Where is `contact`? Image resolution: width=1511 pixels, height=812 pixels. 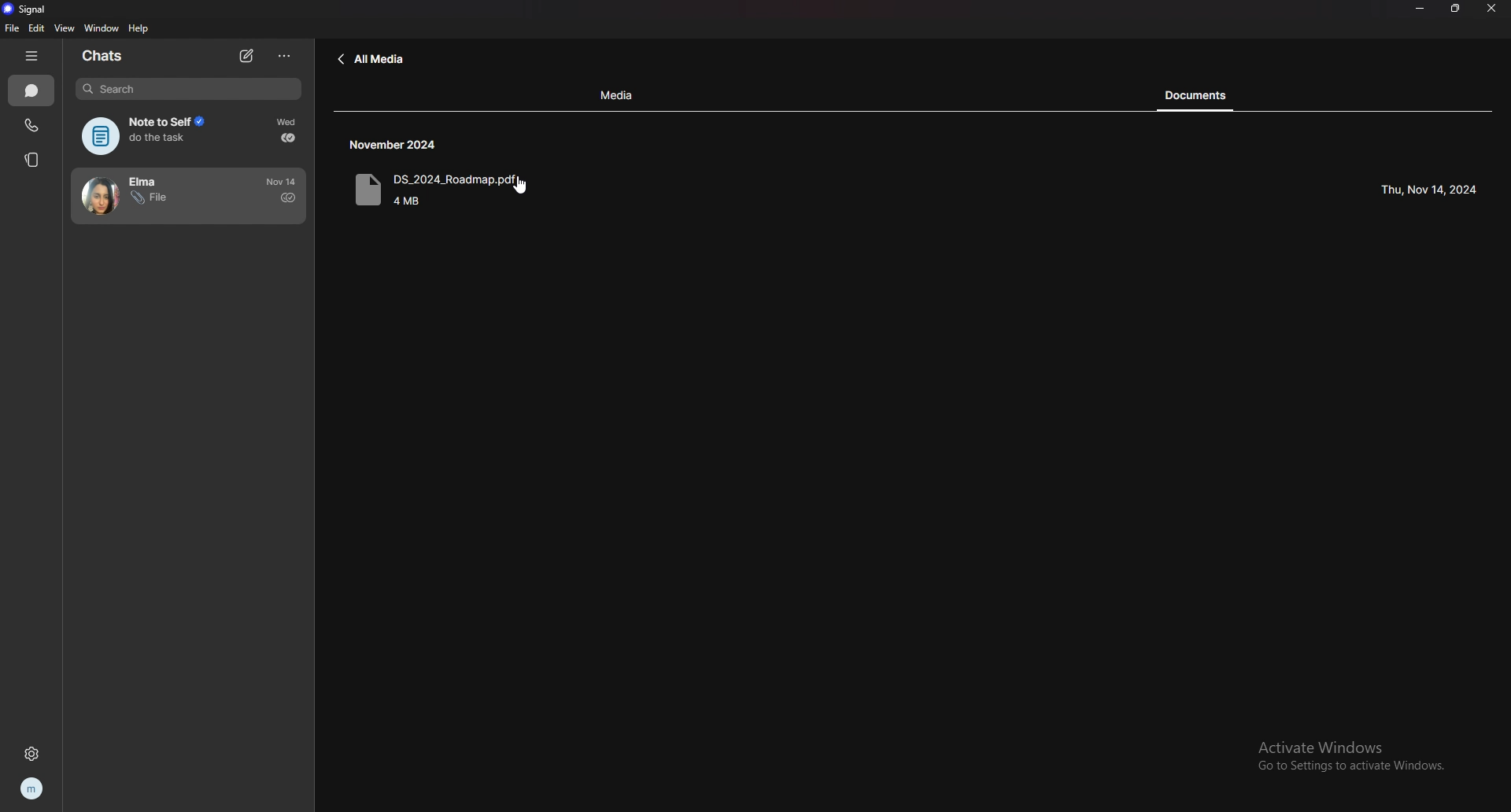 contact is located at coordinates (155, 196).